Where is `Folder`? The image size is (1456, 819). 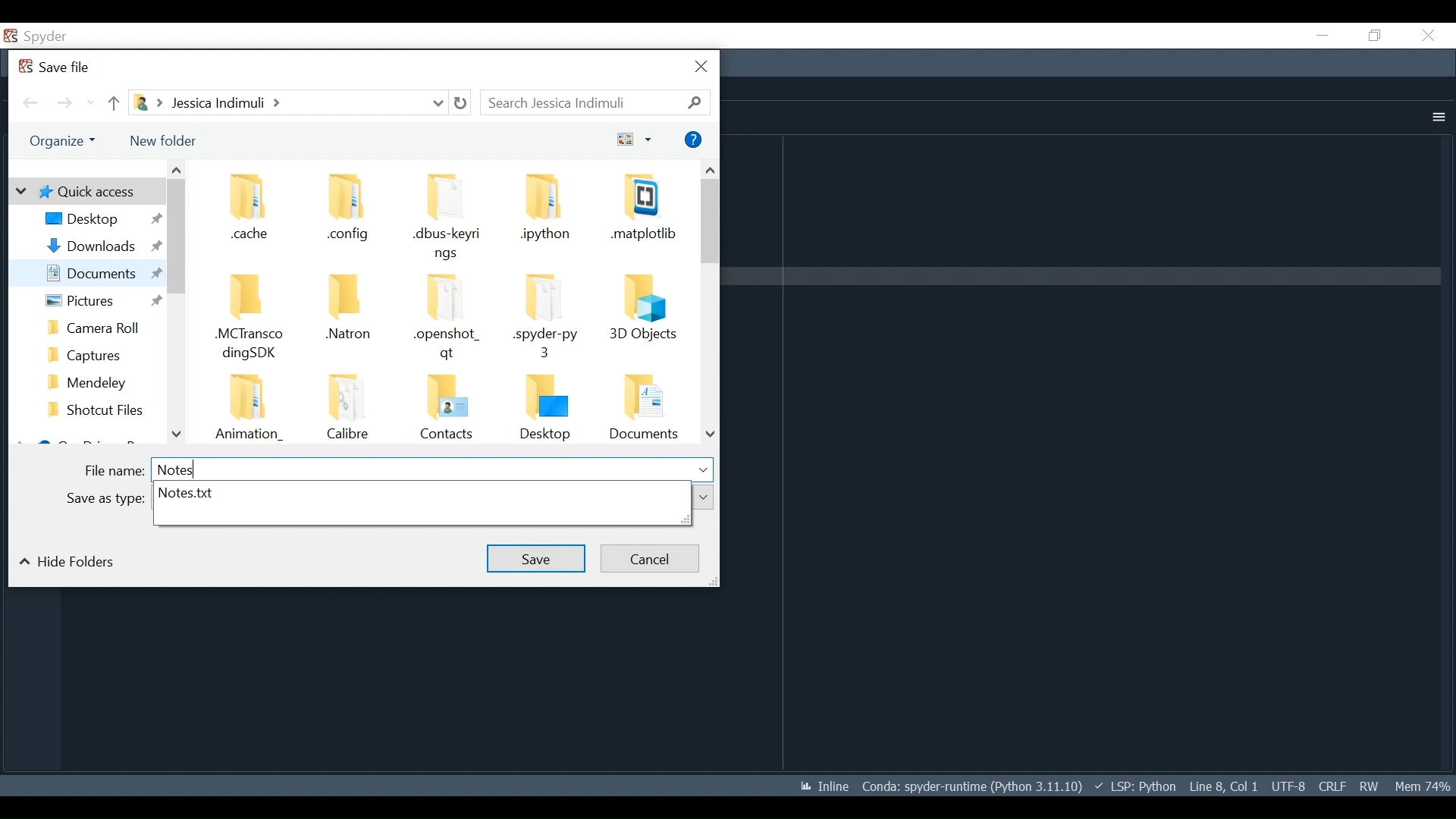 Folder is located at coordinates (253, 320).